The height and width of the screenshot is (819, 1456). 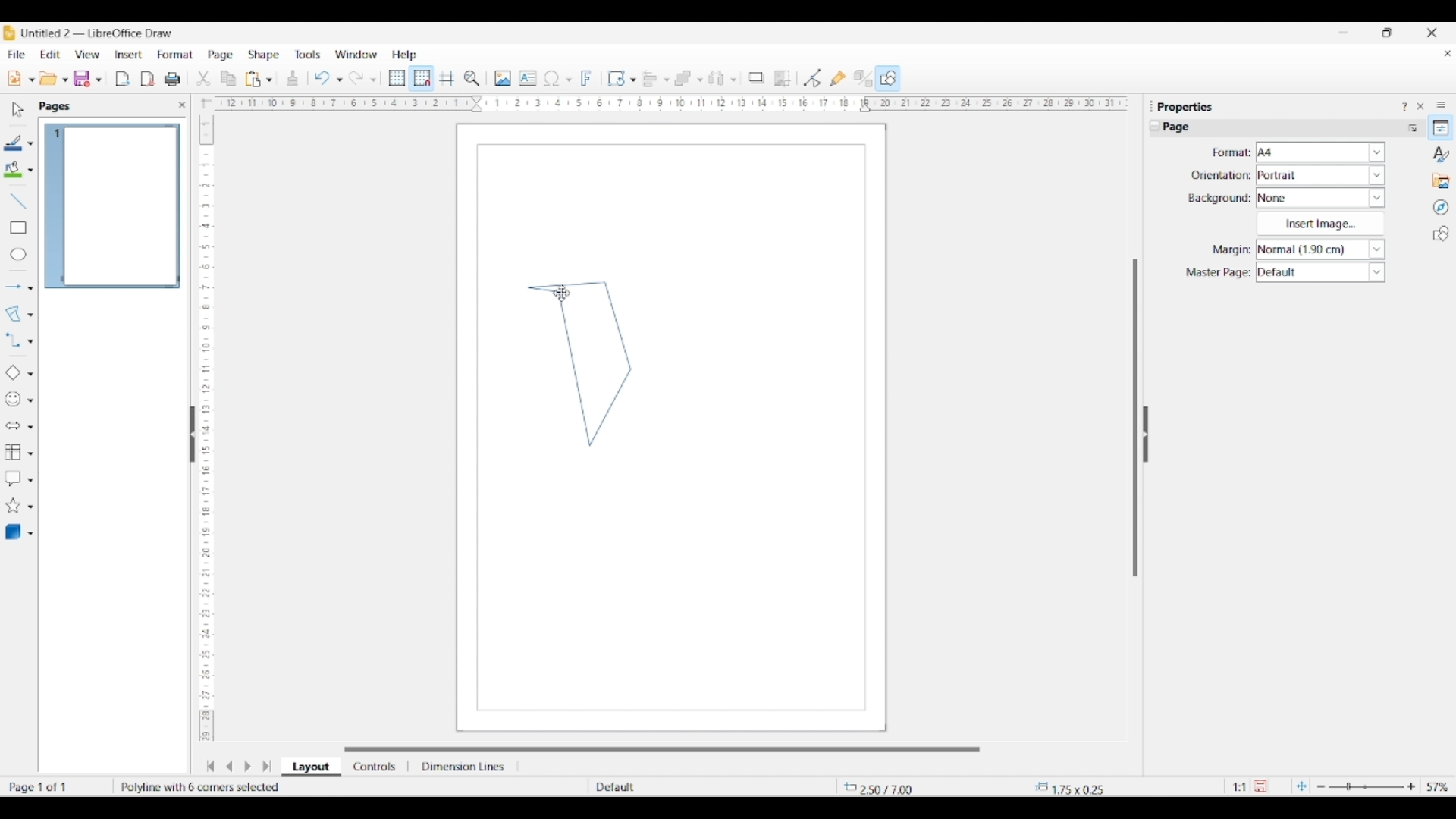 What do you see at coordinates (1320, 272) in the screenshot?
I see `Master page options` at bounding box center [1320, 272].